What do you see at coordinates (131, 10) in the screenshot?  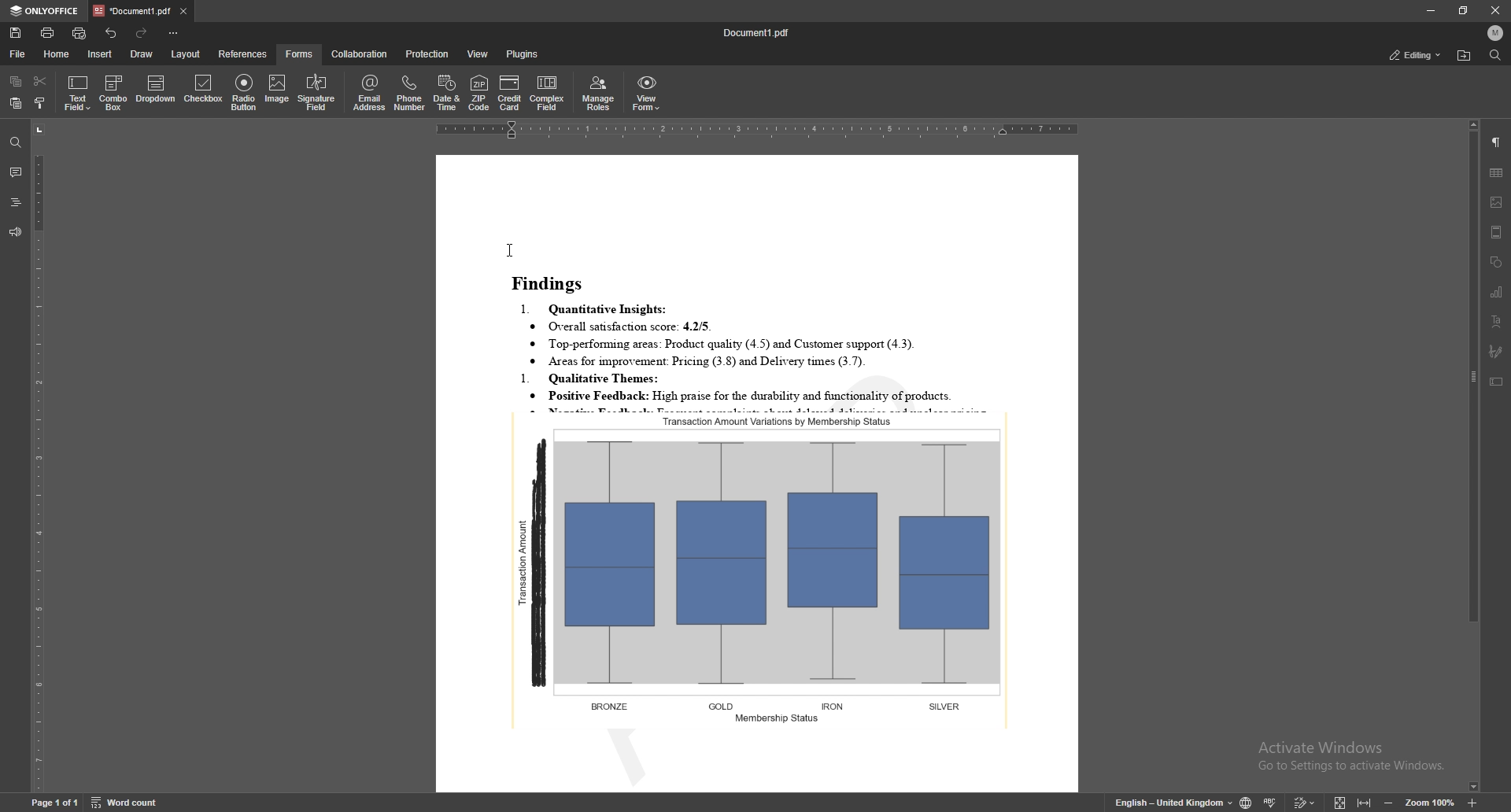 I see `tab` at bounding box center [131, 10].